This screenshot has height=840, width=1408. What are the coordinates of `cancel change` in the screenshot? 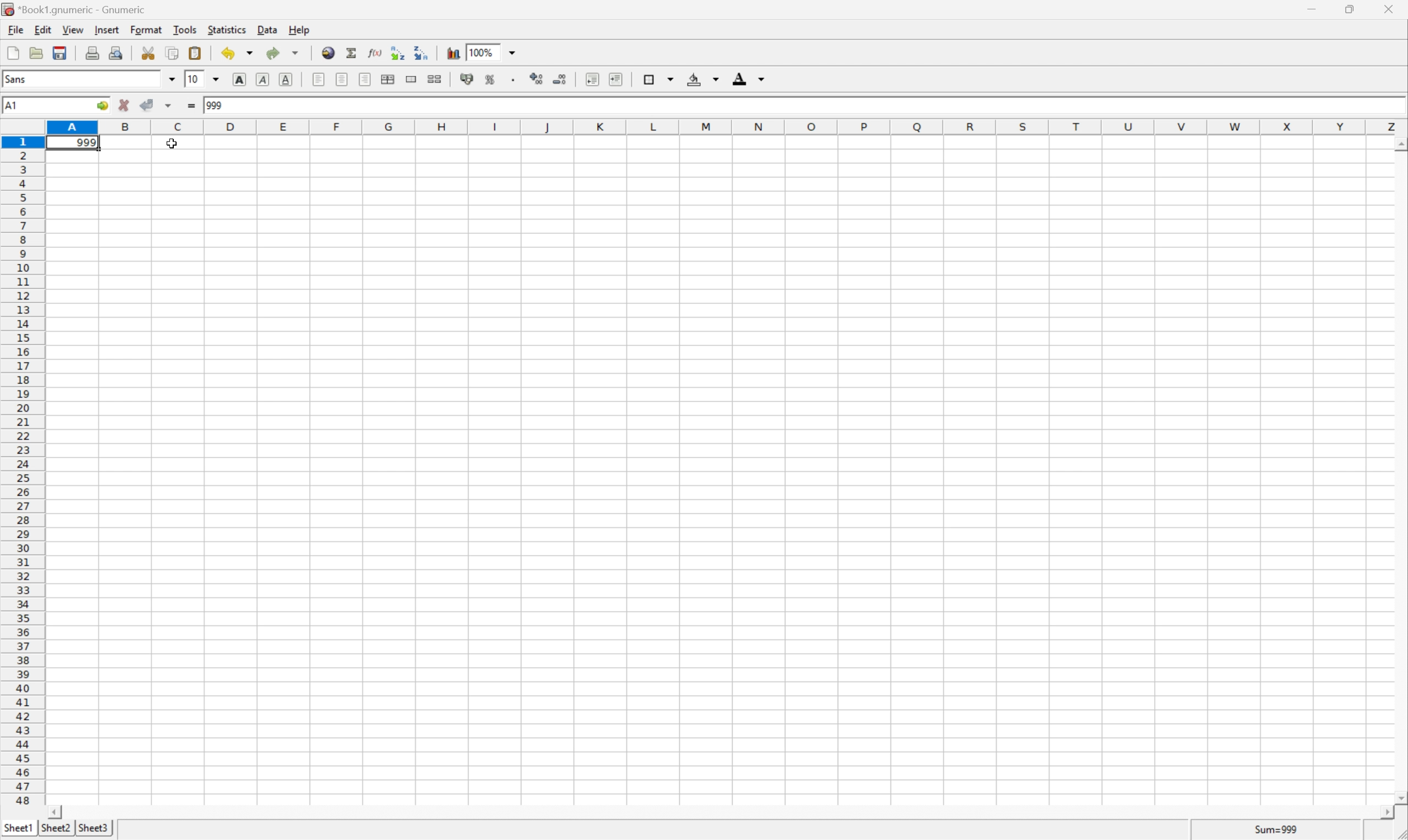 It's located at (125, 104).